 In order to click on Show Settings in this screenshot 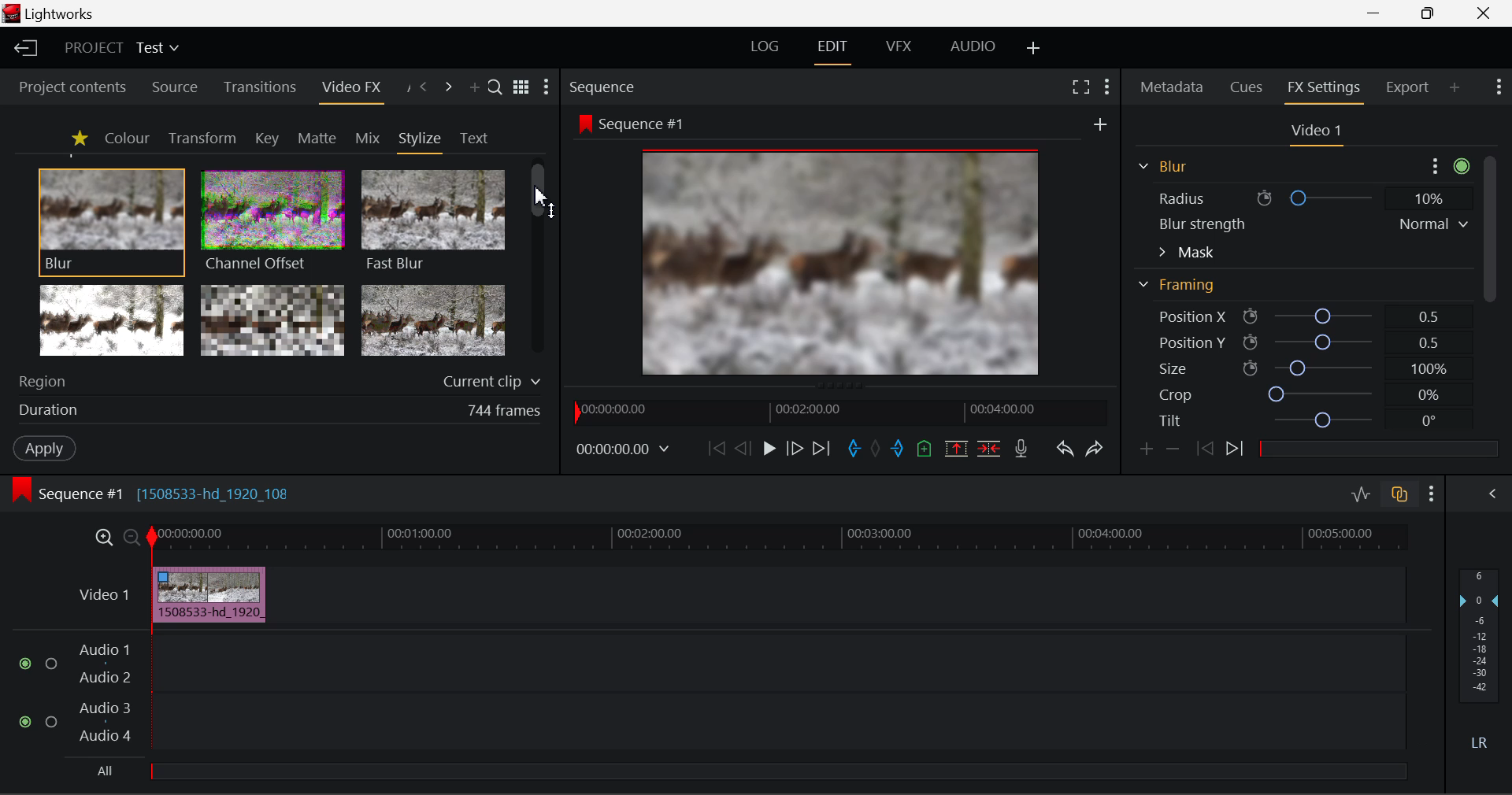, I will do `click(1432, 491)`.